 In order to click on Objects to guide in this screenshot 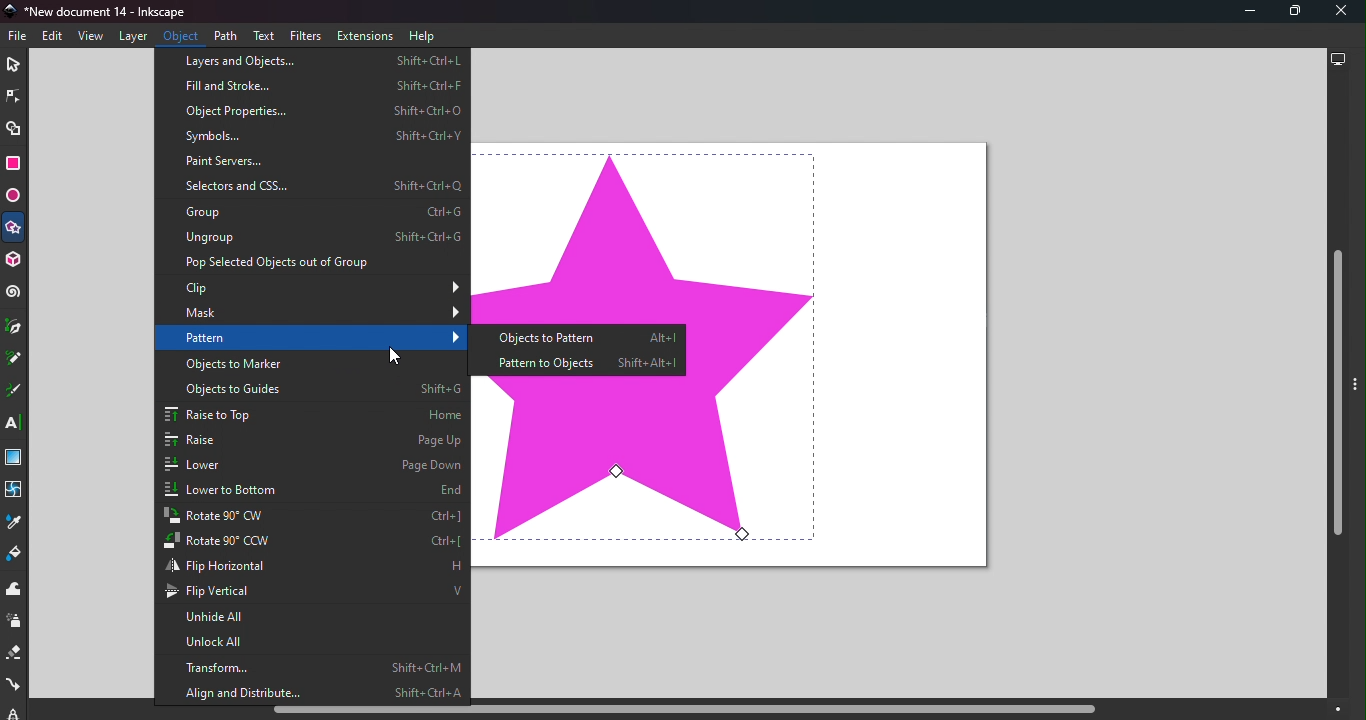, I will do `click(317, 391)`.